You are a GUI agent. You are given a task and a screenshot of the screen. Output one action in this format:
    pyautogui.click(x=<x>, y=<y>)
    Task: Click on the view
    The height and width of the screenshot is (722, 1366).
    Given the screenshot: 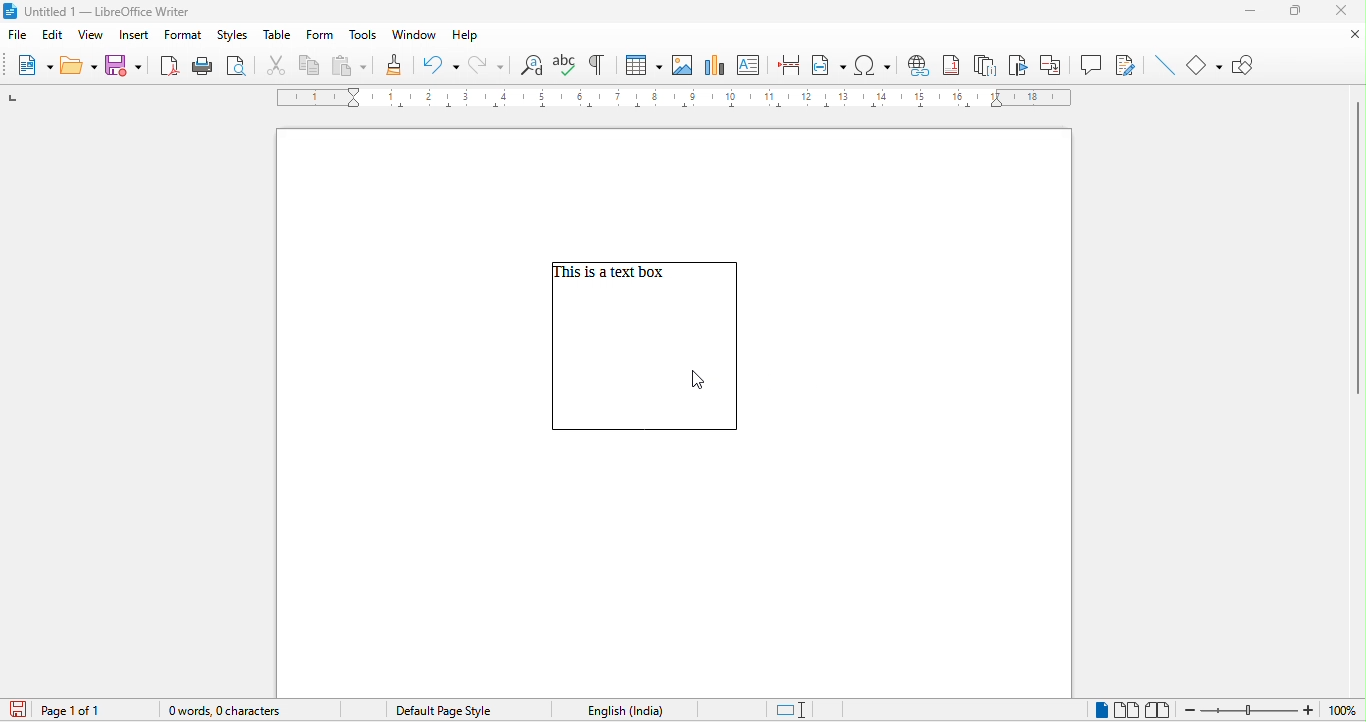 What is the action you would take?
    pyautogui.click(x=94, y=37)
    